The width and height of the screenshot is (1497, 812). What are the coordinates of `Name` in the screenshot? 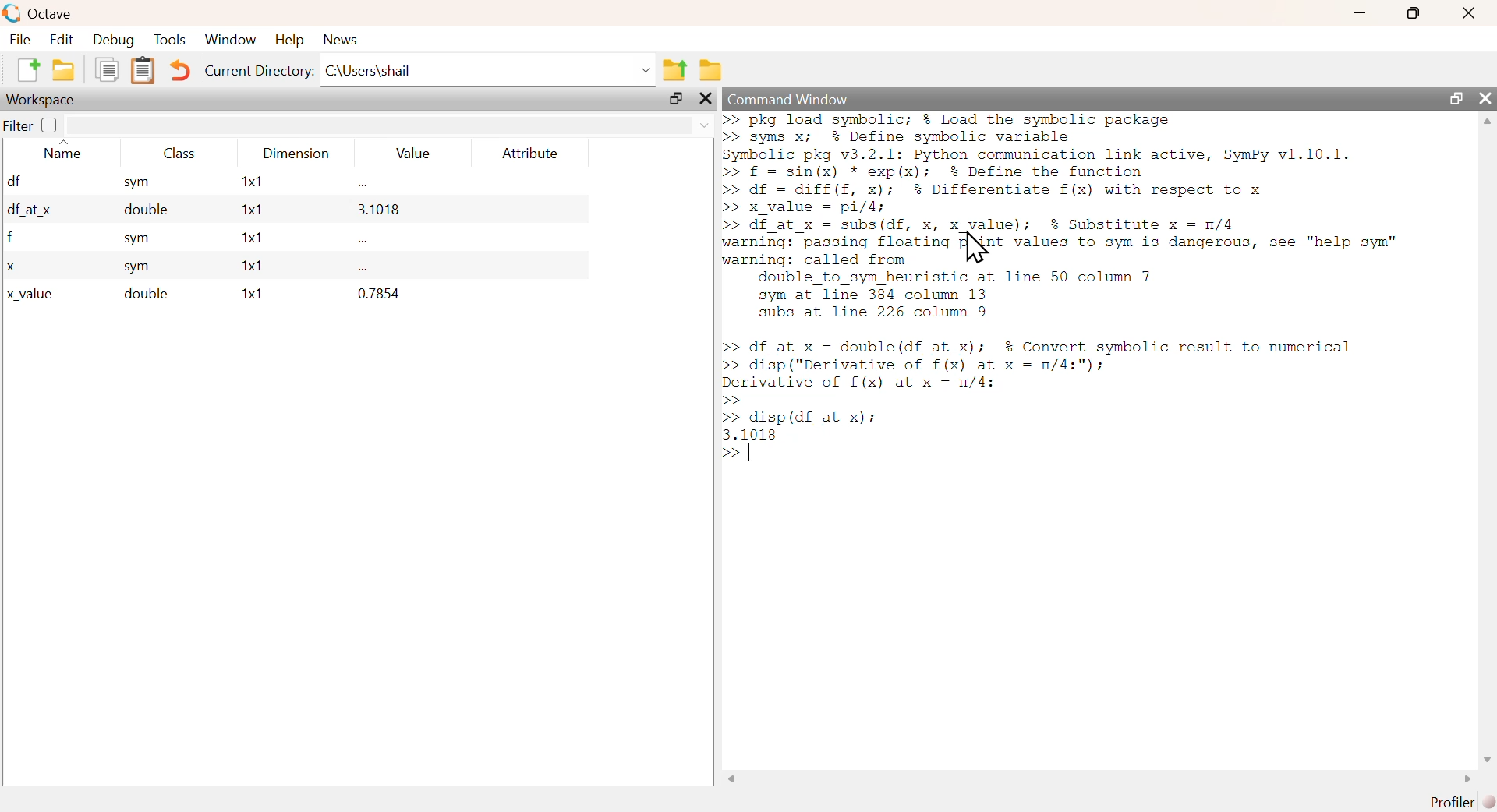 It's located at (62, 150).